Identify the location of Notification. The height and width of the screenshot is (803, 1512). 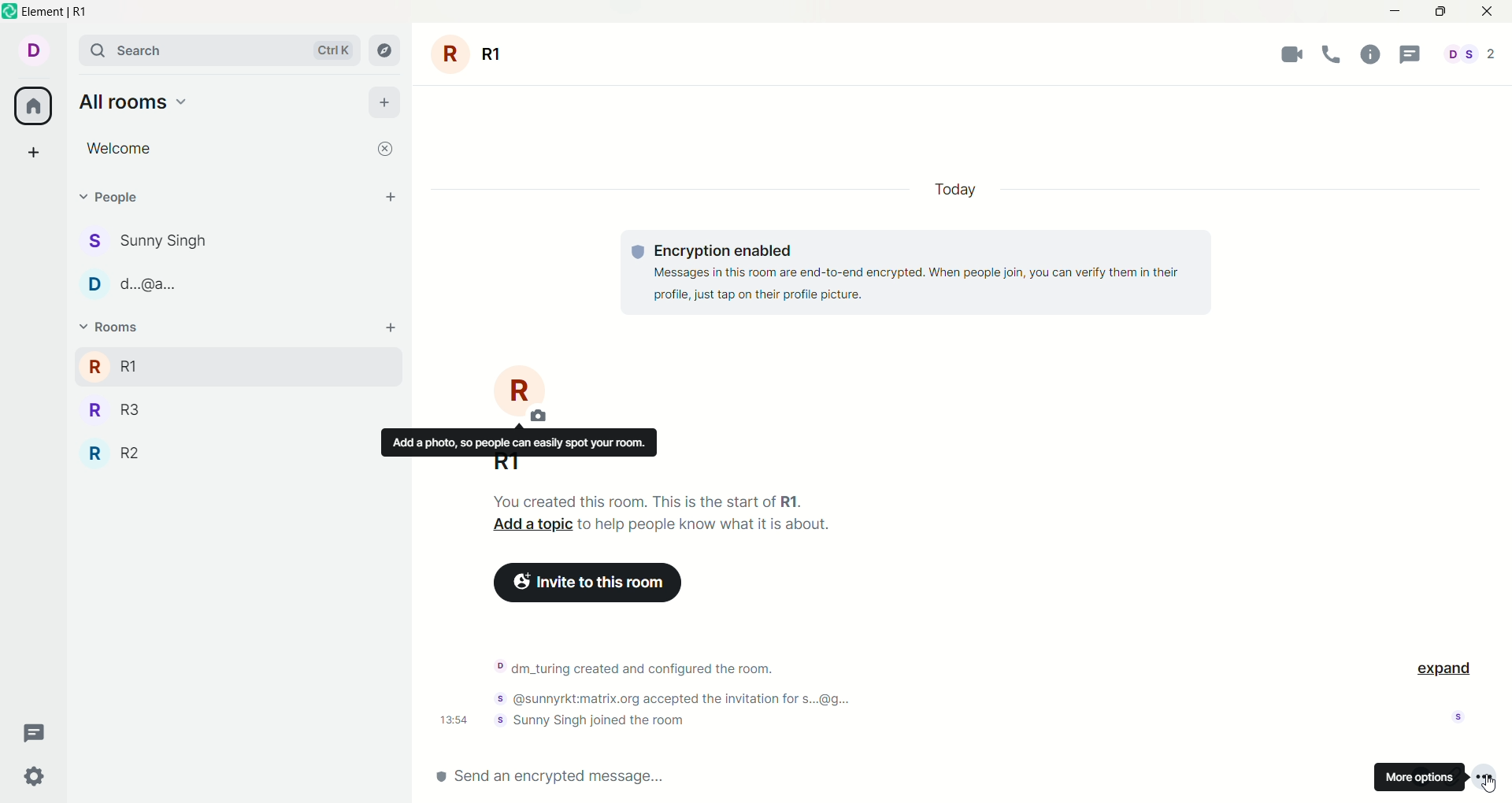
(589, 720).